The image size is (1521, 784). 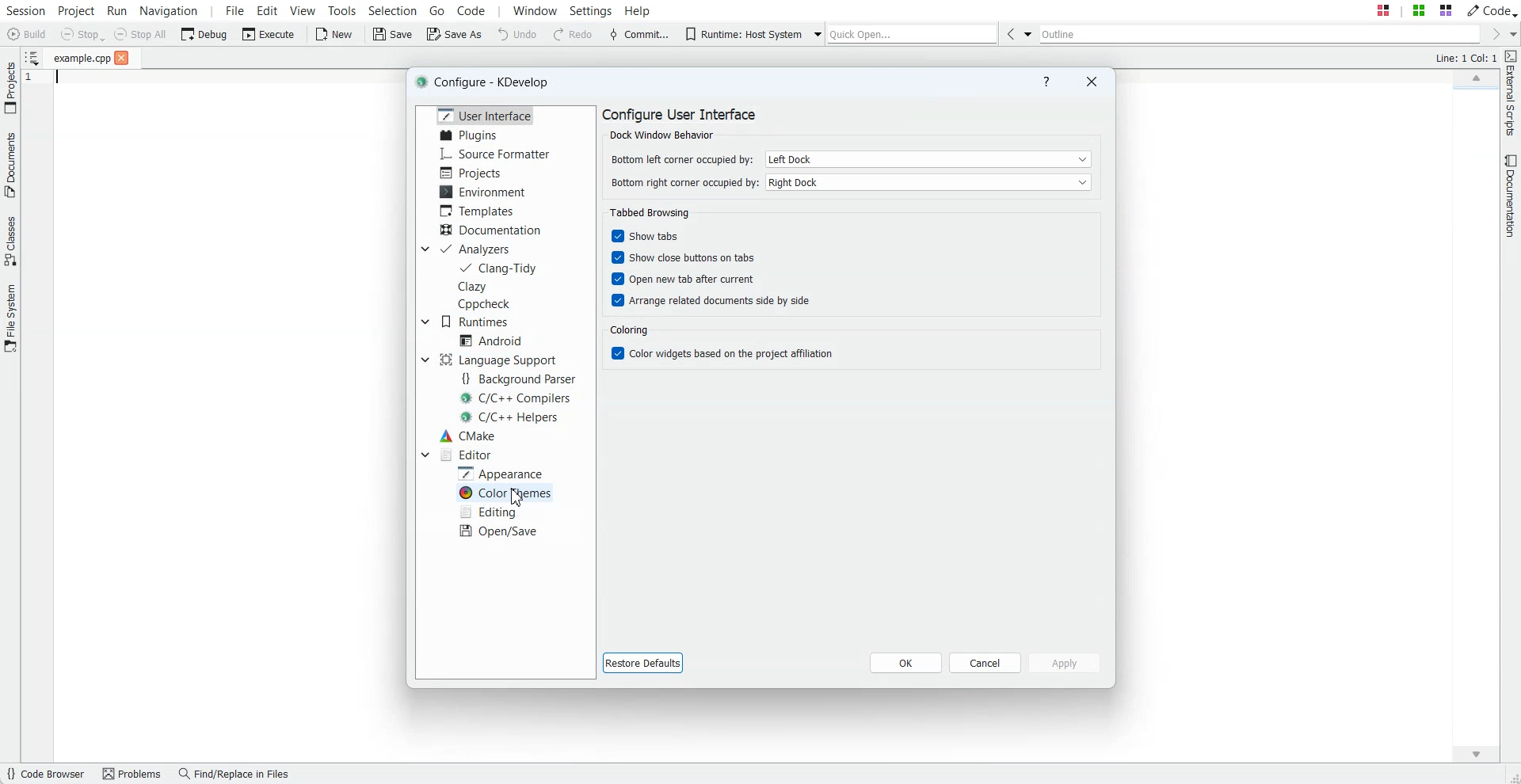 What do you see at coordinates (1465, 59) in the screenshot?
I see `Text` at bounding box center [1465, 59].